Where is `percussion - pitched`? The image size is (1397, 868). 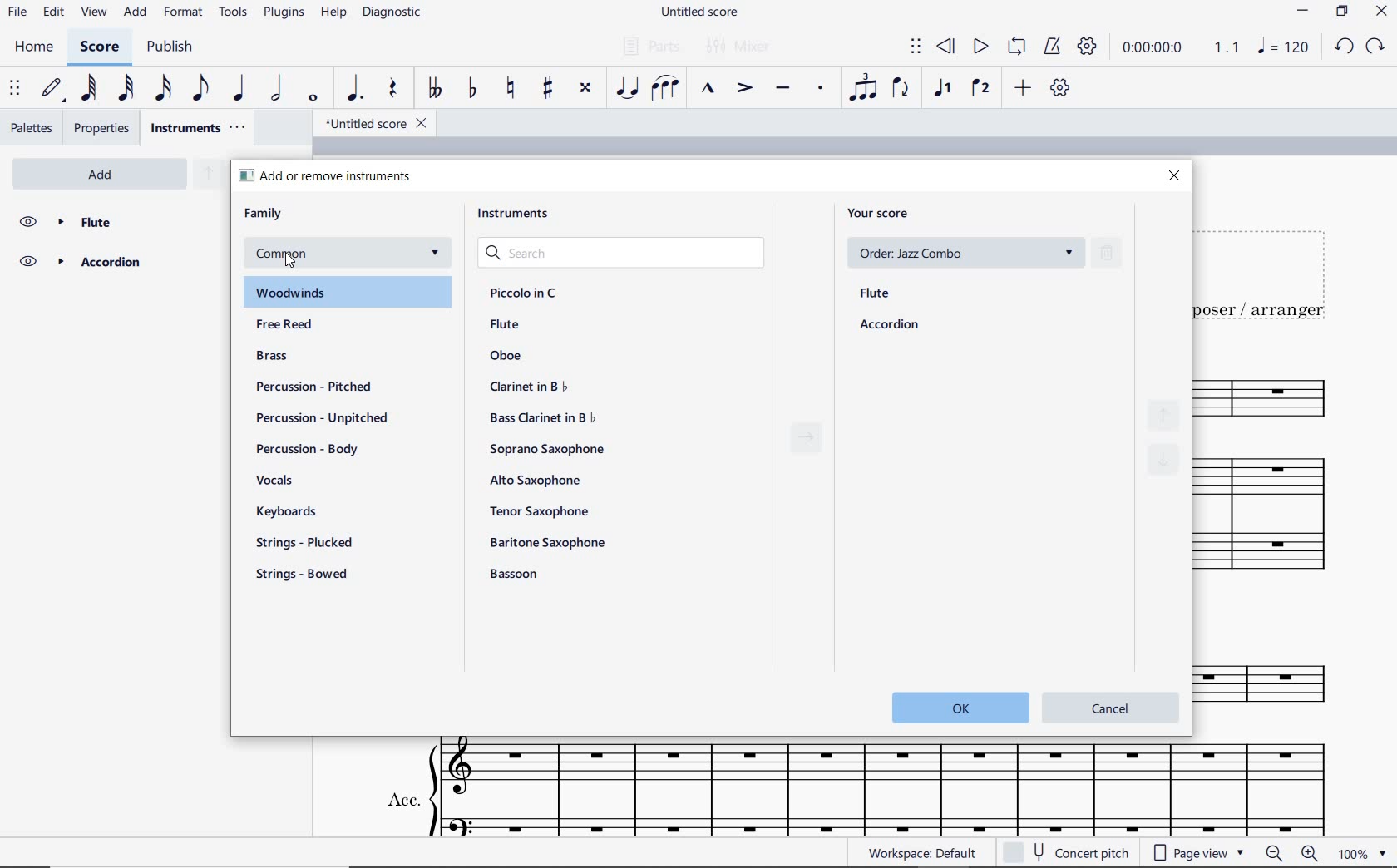
percussion - pitched is located at coordinates (315, 387).